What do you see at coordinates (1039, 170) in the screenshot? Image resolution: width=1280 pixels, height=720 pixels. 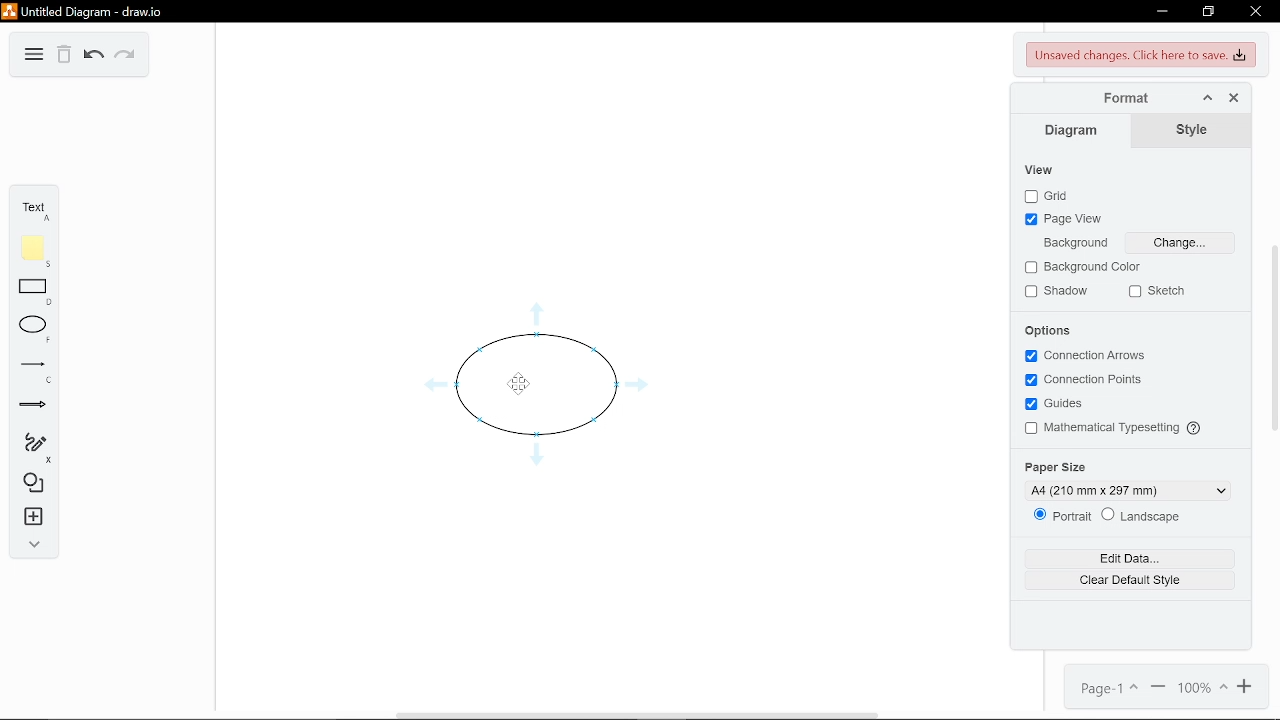 I see `View` at bounding box center [1039, 170].